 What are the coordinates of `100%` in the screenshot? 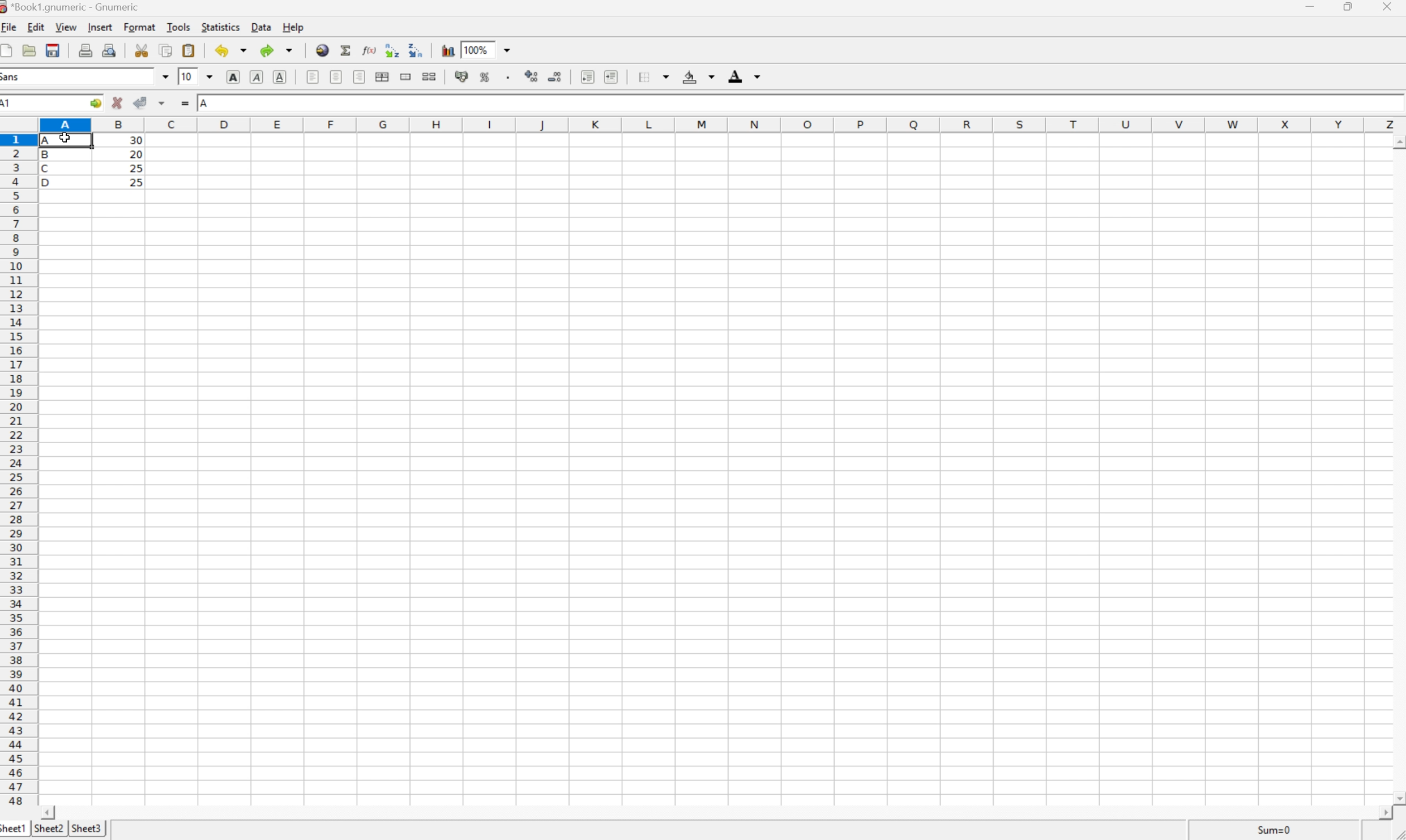 It's located at (475, 49).